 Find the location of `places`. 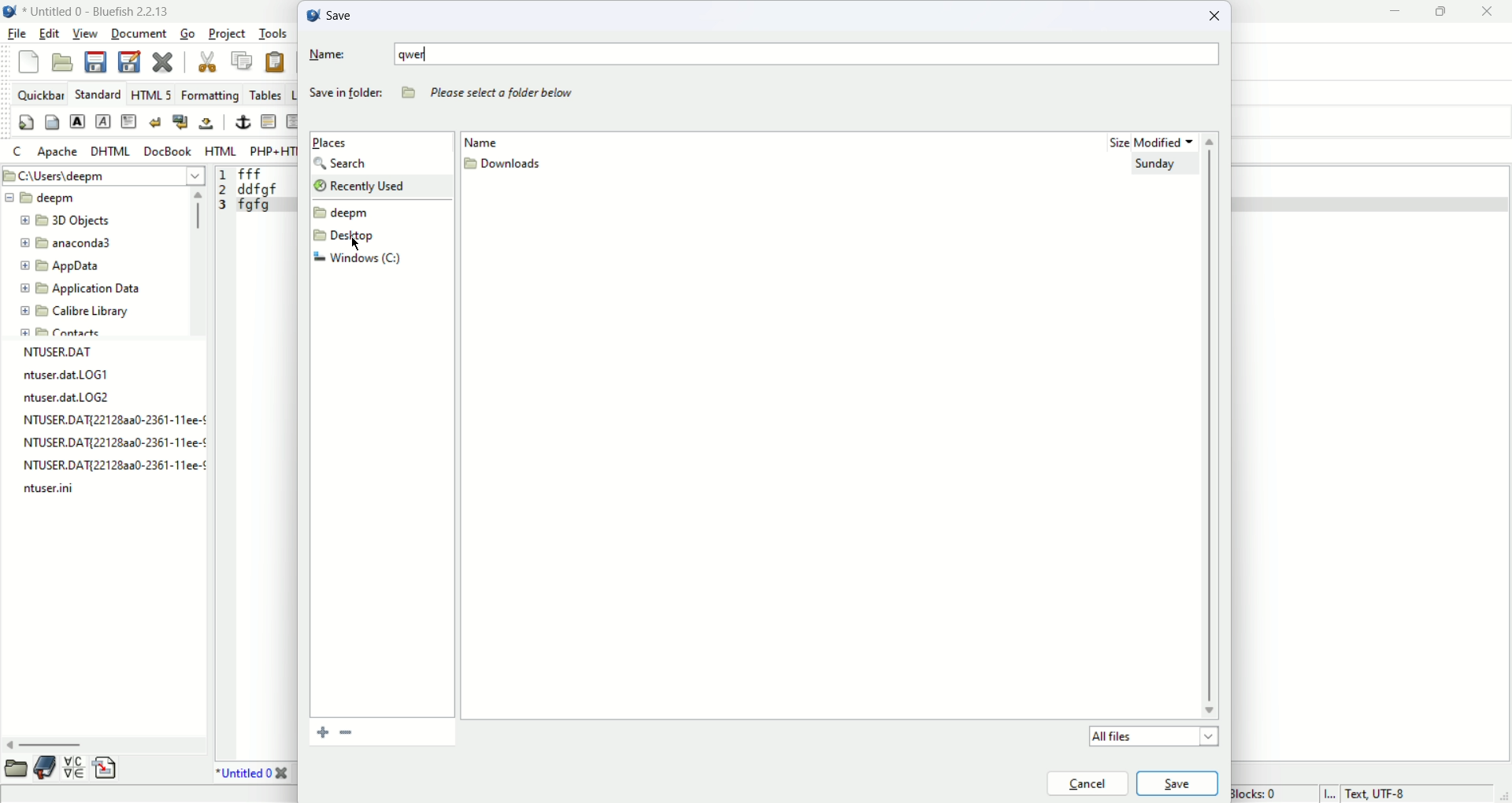

places is located at coordinates (335, 142).